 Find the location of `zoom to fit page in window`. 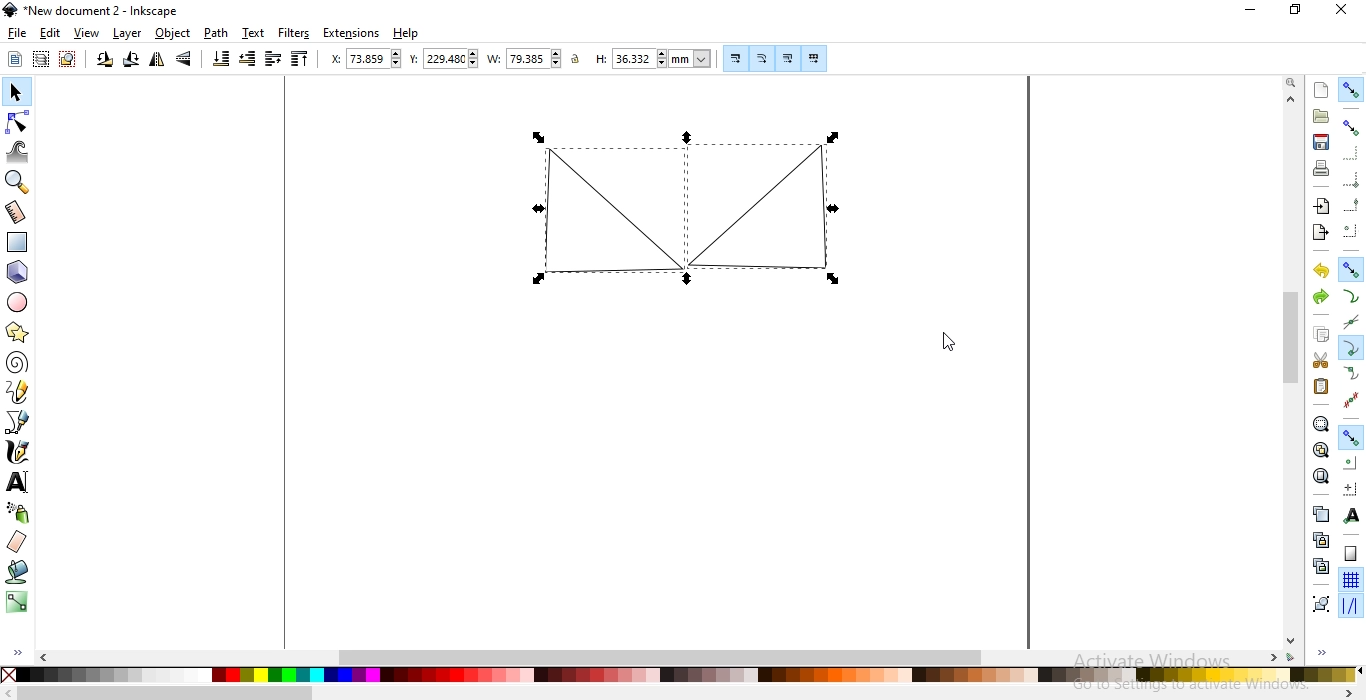

zoom to fit page in window is located at coordinates (1321, 475).